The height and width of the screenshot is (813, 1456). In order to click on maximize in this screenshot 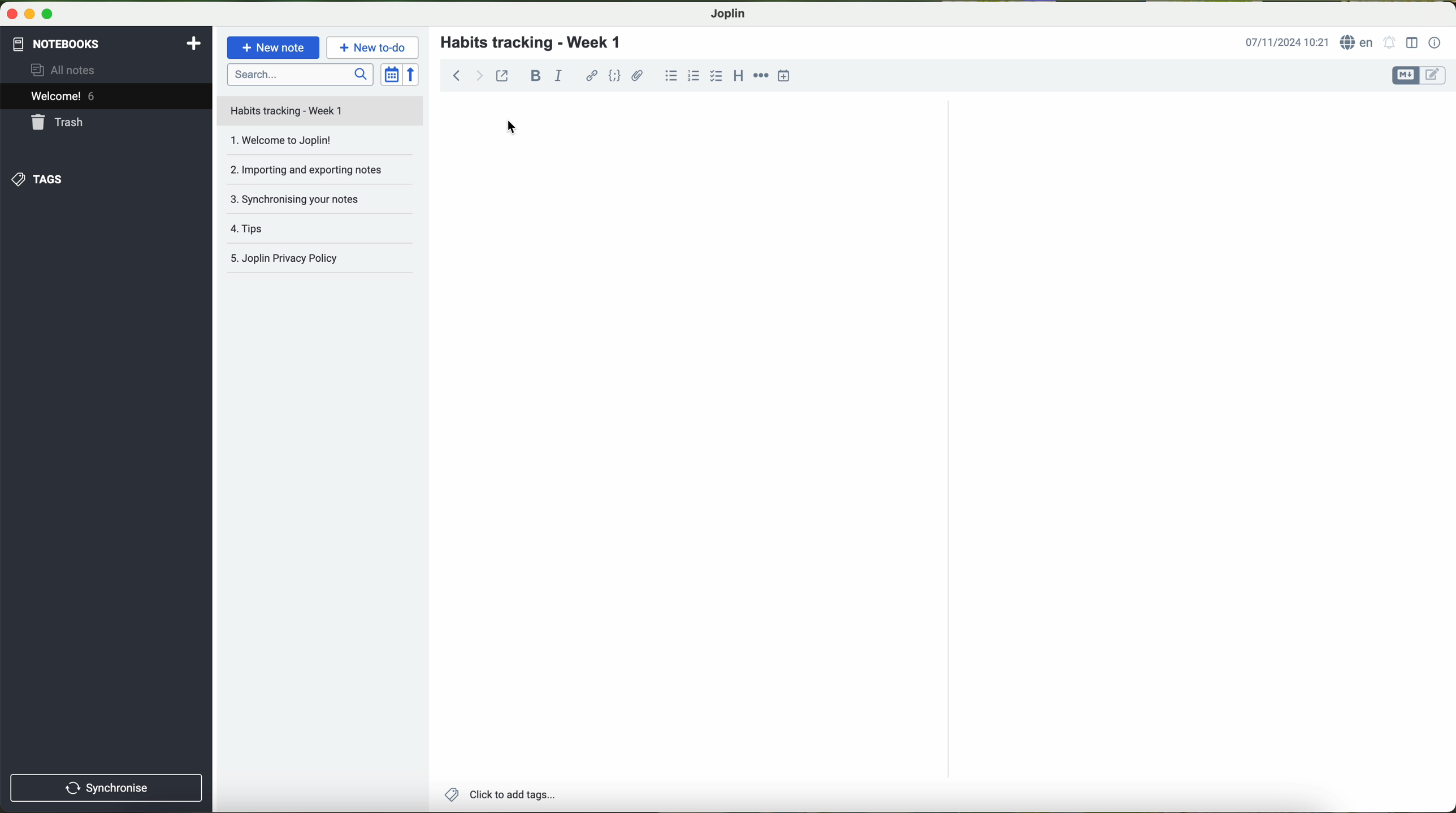, I will do `click(48, 14)`.